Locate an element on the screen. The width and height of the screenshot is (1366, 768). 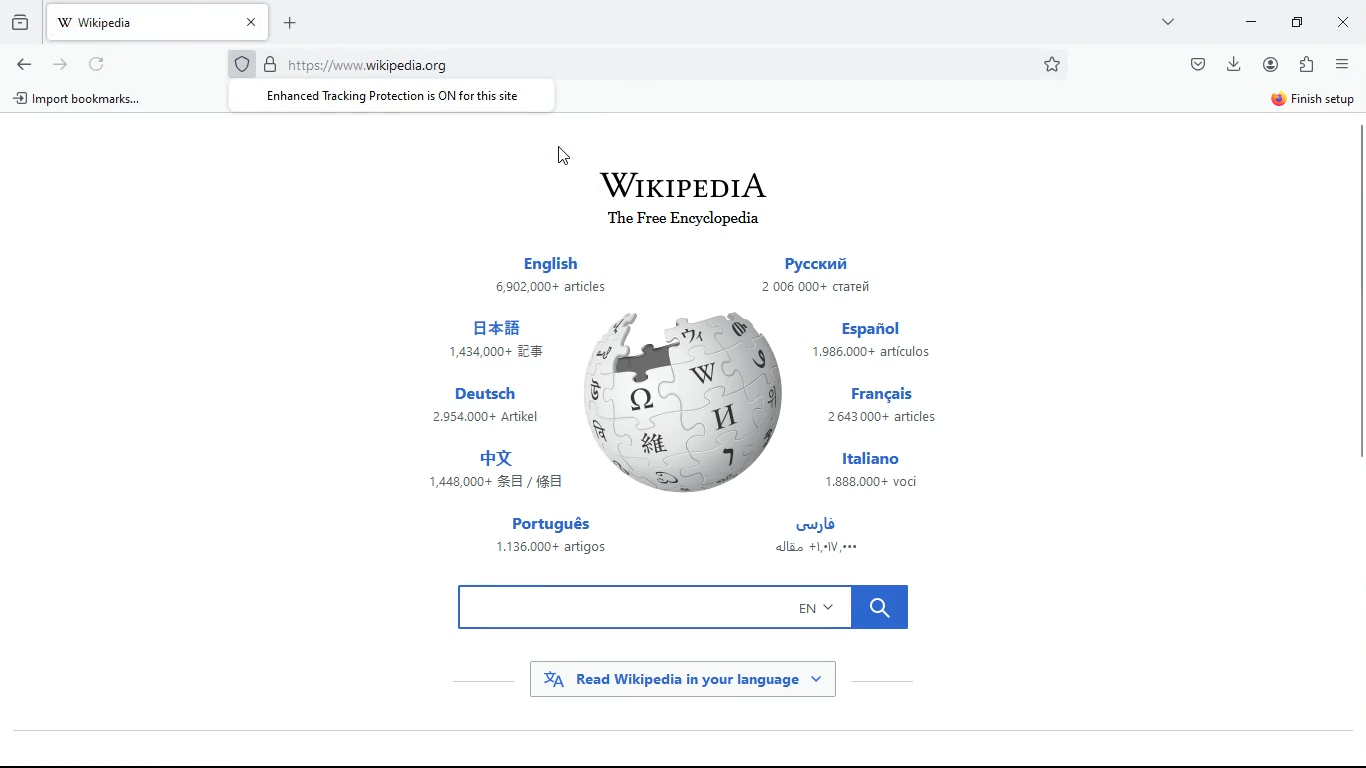
hystoric is located at coordinates (22, 20).